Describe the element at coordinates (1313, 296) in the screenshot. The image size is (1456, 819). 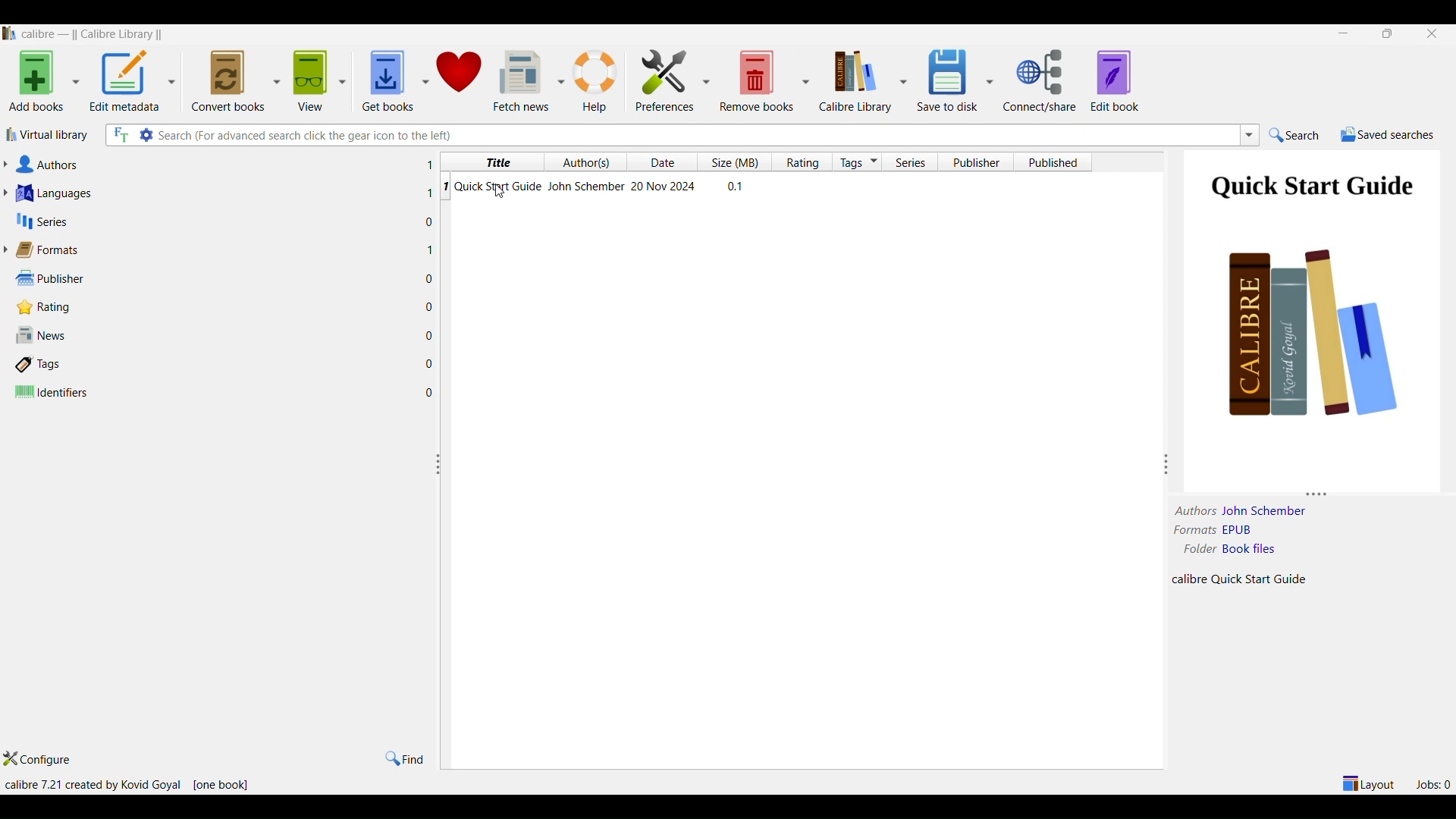
I see `book page` at that location.